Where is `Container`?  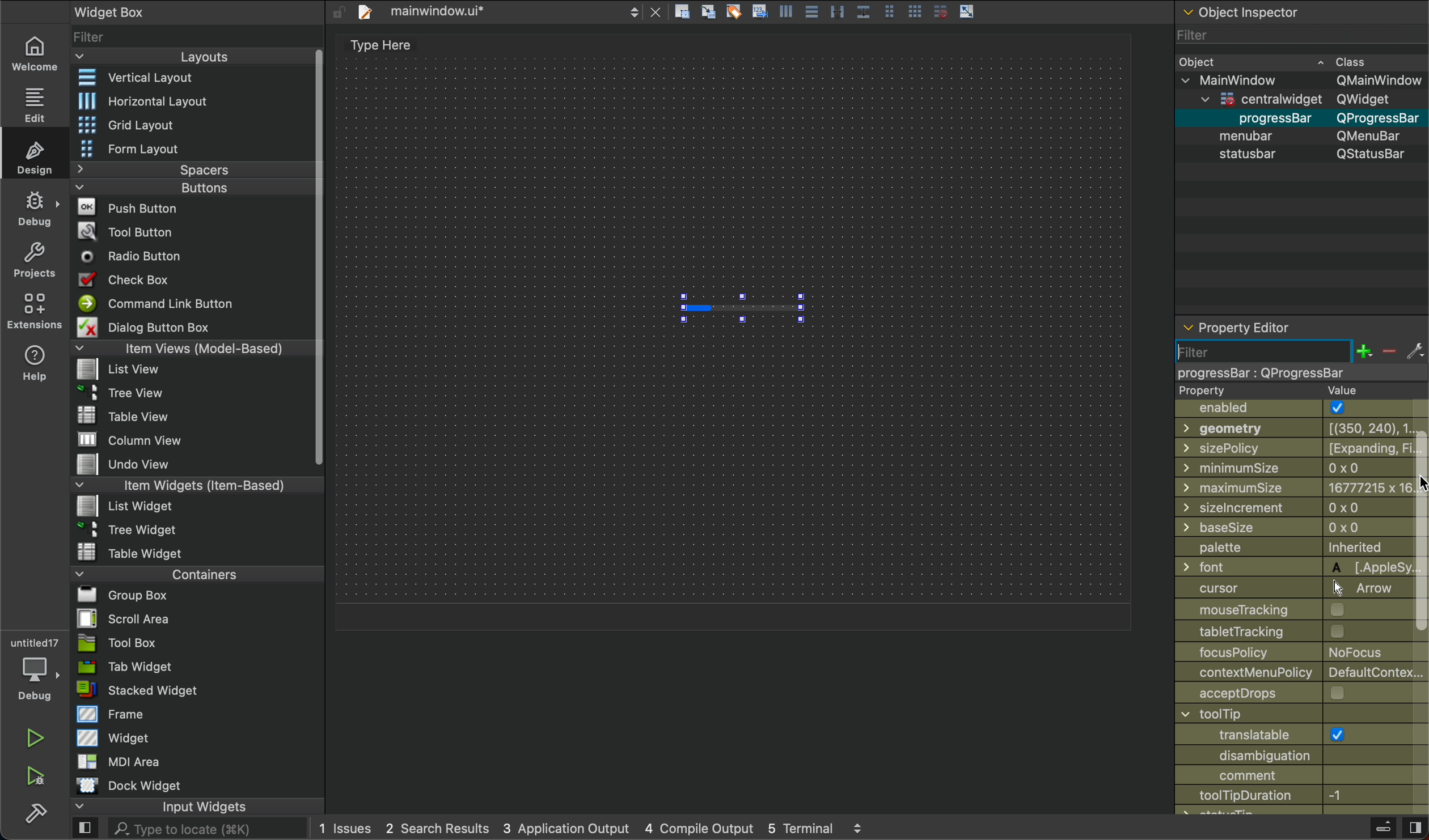
Container is located at coordinates (168, 573).